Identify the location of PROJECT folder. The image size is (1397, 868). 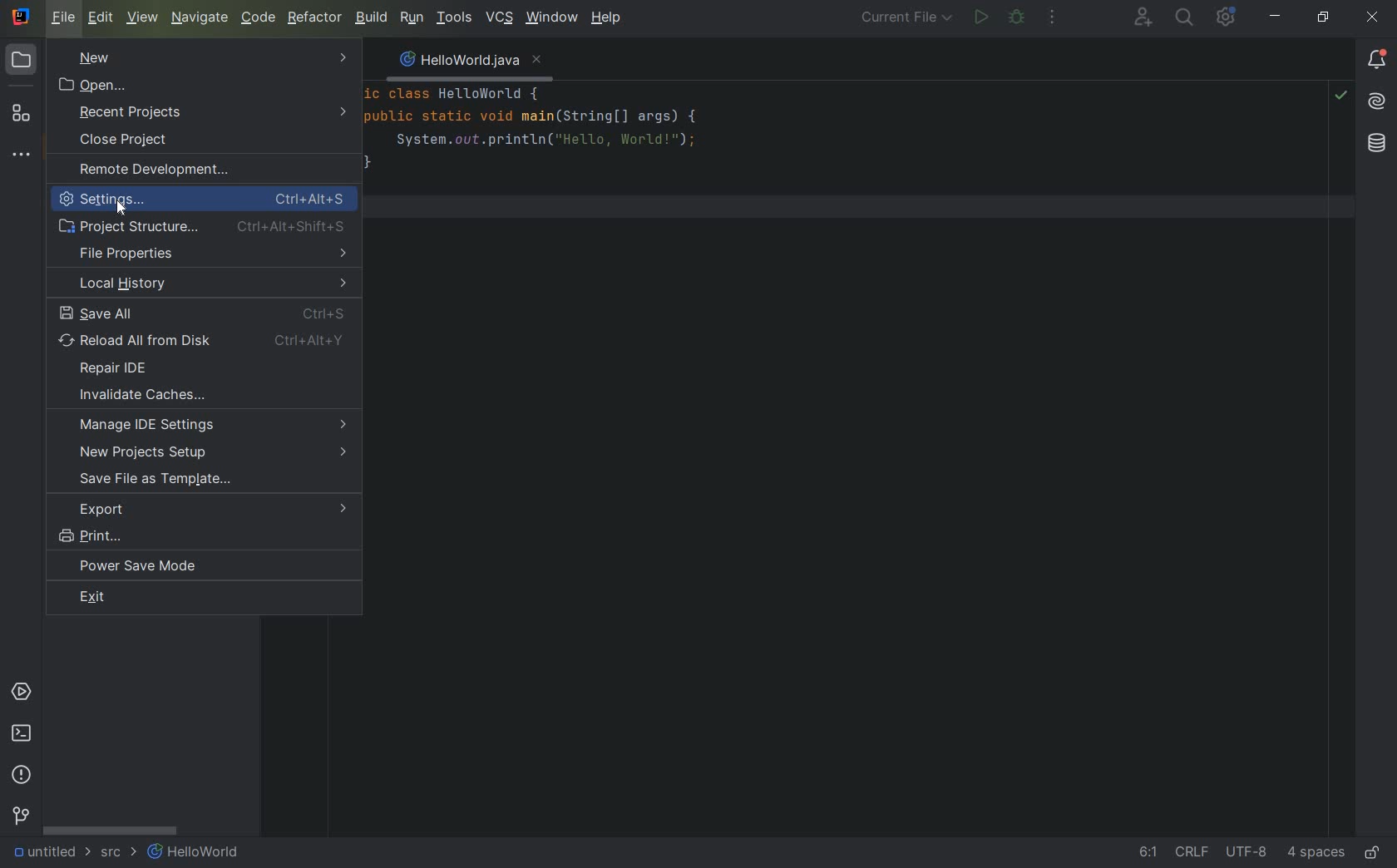
(22, 62).